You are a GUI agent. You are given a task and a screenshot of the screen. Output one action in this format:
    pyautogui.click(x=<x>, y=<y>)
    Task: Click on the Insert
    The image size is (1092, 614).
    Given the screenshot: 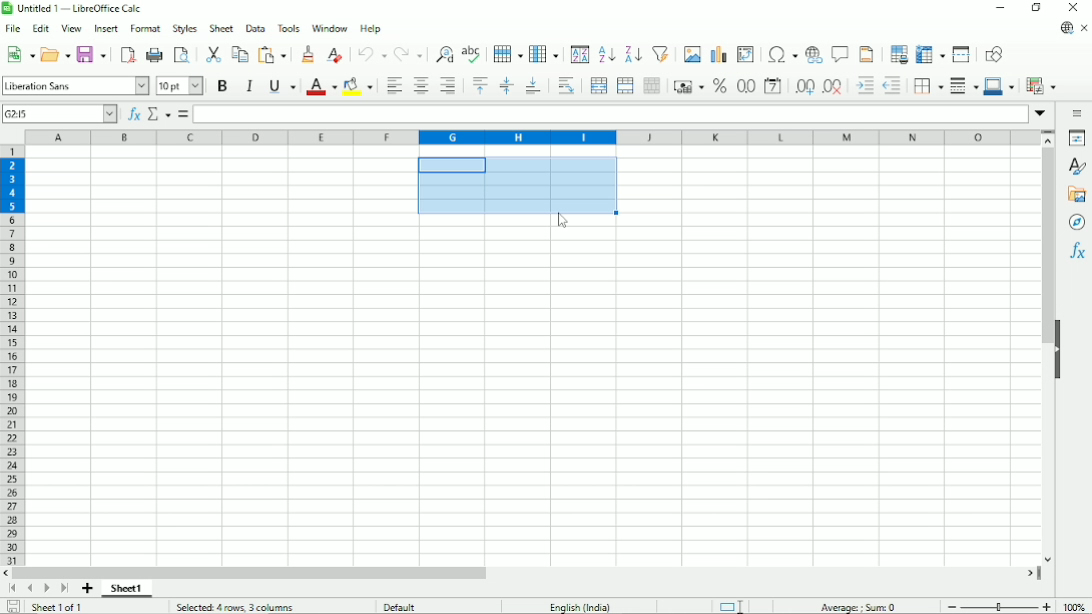 What is the action you would take?
    pyautogui.click(x=104, y=28)
    